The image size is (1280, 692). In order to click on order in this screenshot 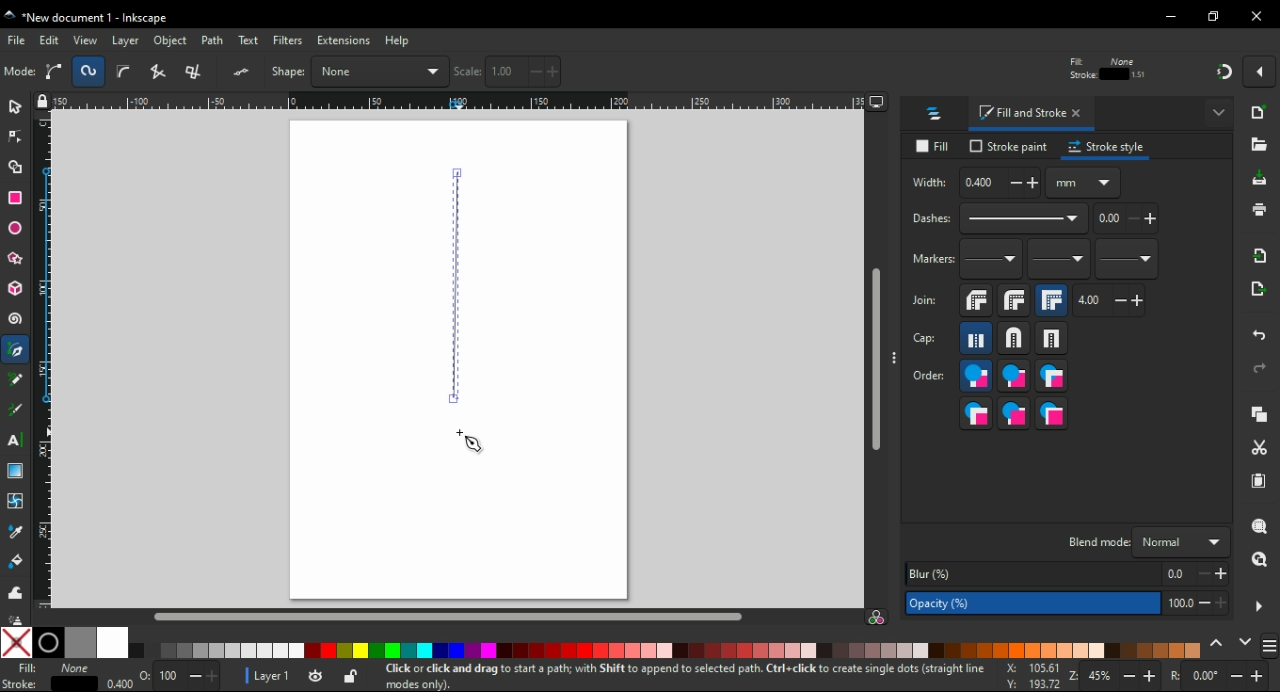, I will do `click(929, 374)`.